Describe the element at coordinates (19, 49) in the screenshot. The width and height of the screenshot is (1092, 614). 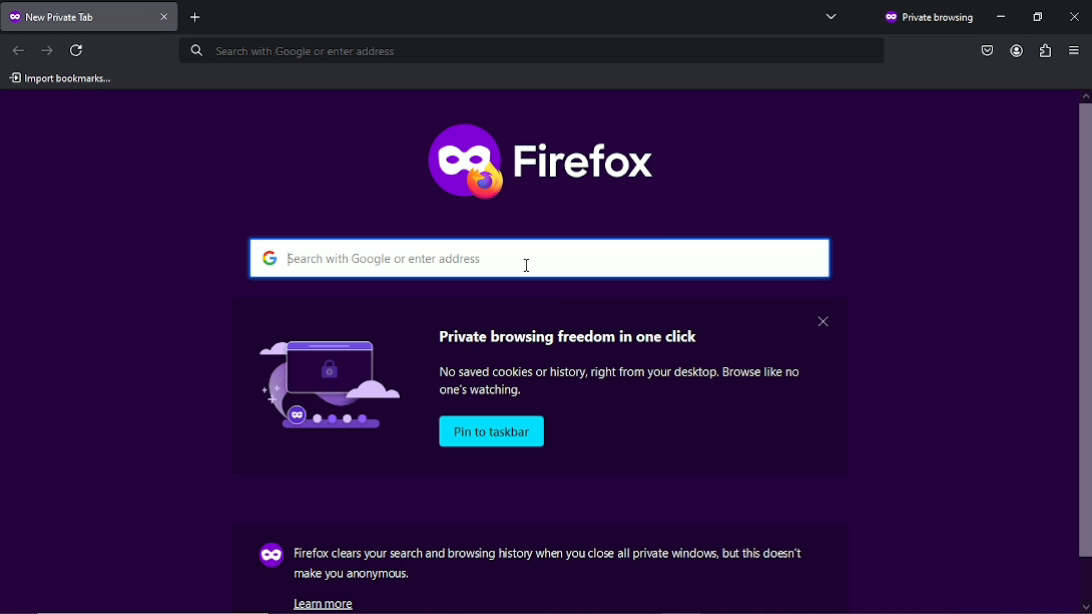
I see `go back` at that location.